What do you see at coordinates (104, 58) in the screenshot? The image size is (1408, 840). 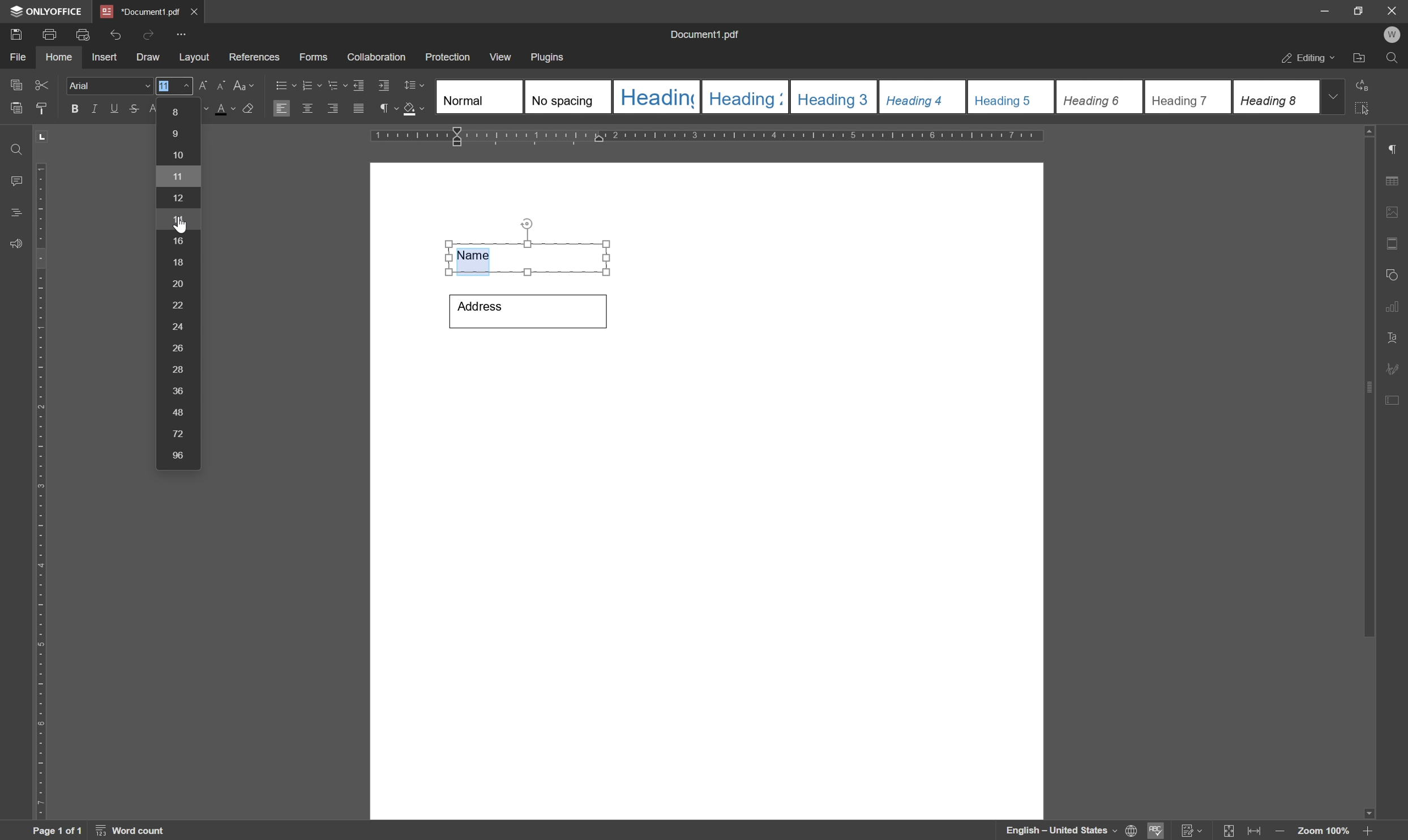 I see `insert` at bounding box center [104, 58].